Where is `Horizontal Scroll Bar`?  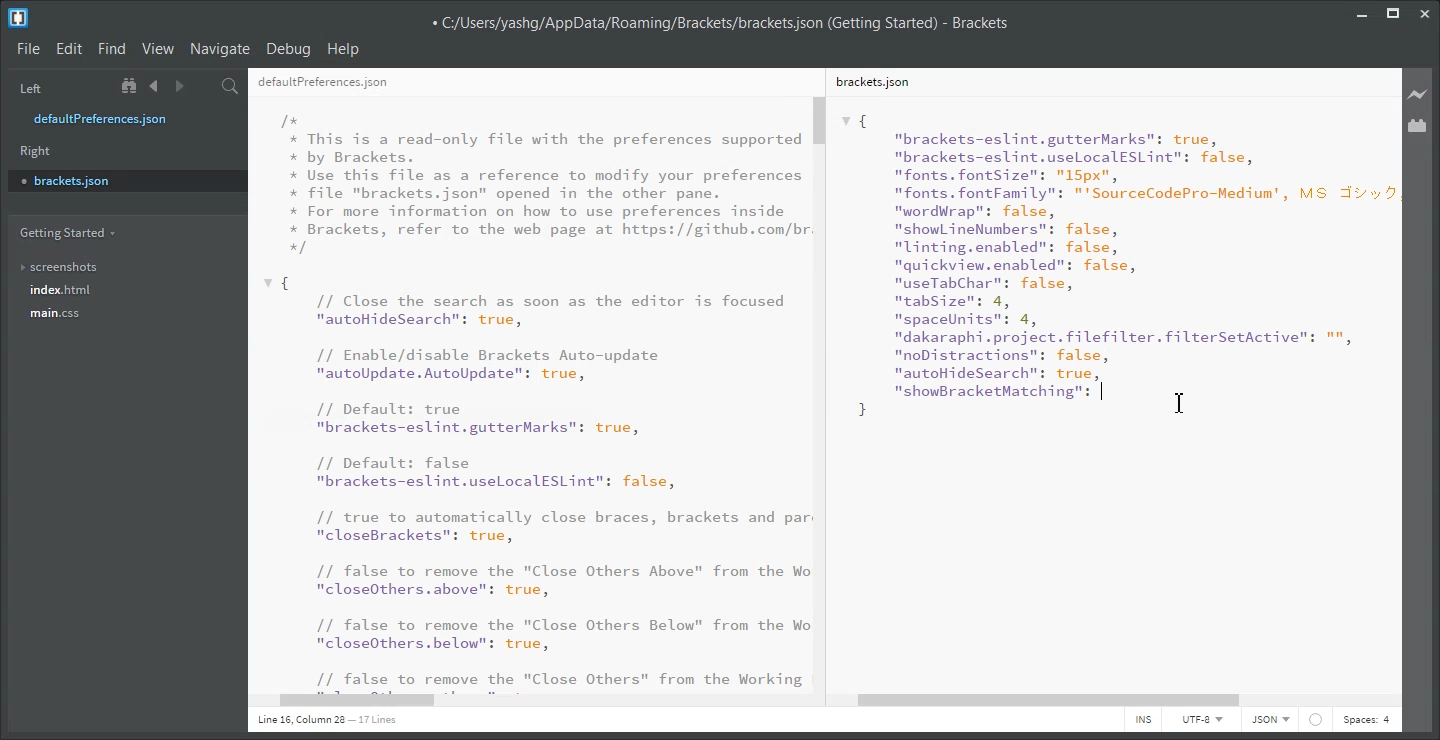
Horizontal Scroll Bar is located at coordinates (1116, 701).